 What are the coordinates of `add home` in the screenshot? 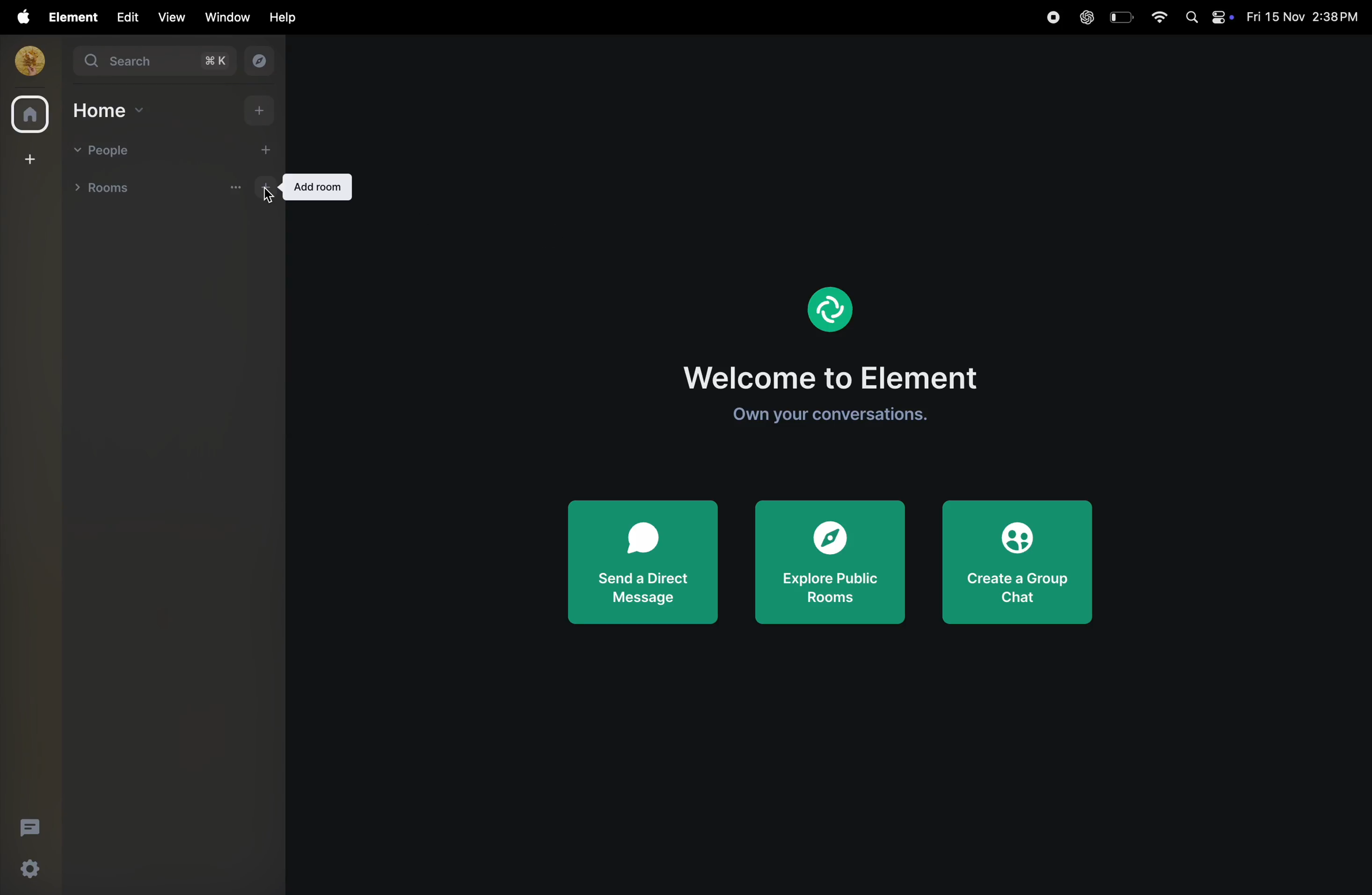 It's located at (262, 110).